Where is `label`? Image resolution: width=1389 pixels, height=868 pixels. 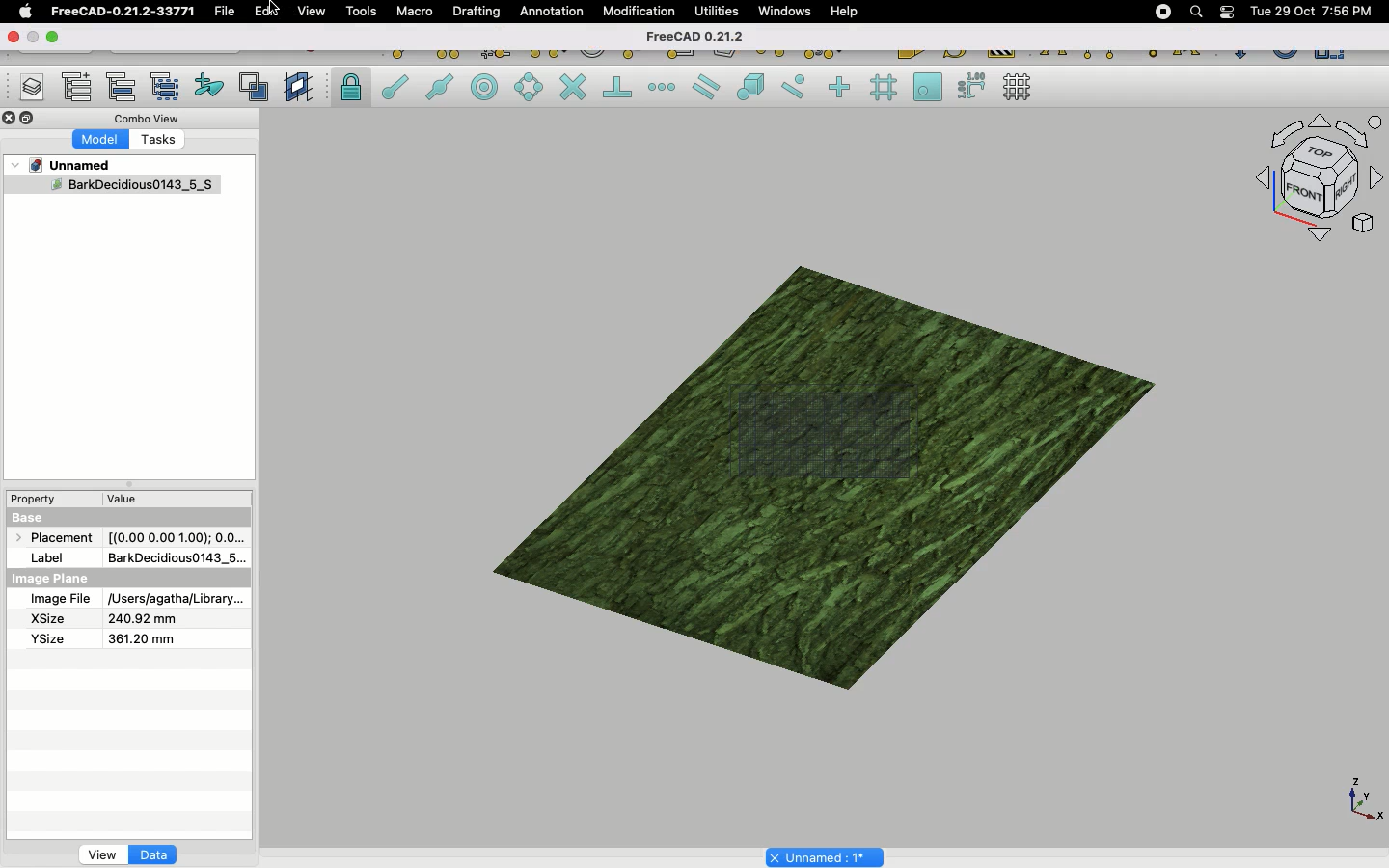 label is located at coordinates (52, 556).